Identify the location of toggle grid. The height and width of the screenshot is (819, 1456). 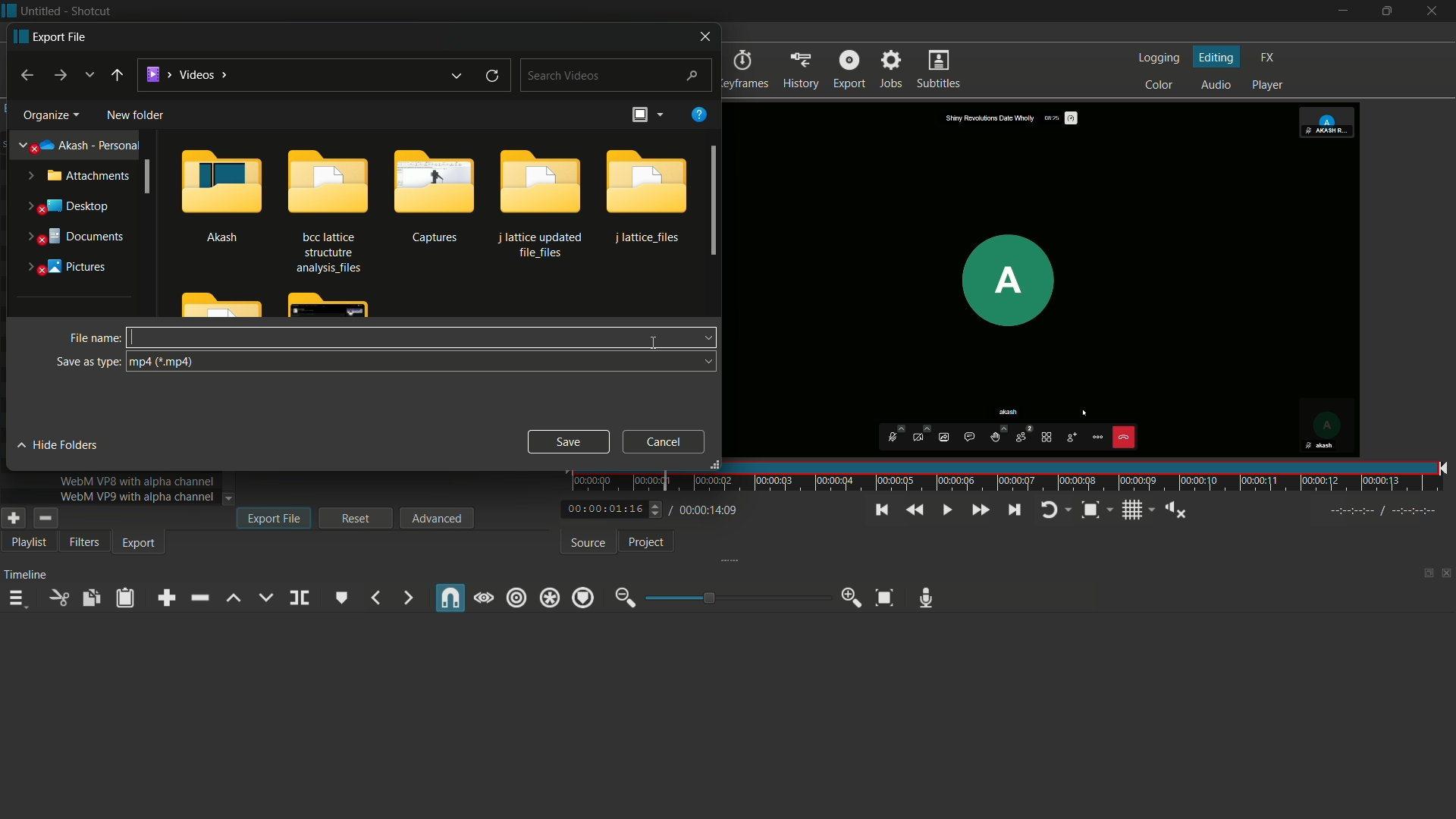
(1132, 510).